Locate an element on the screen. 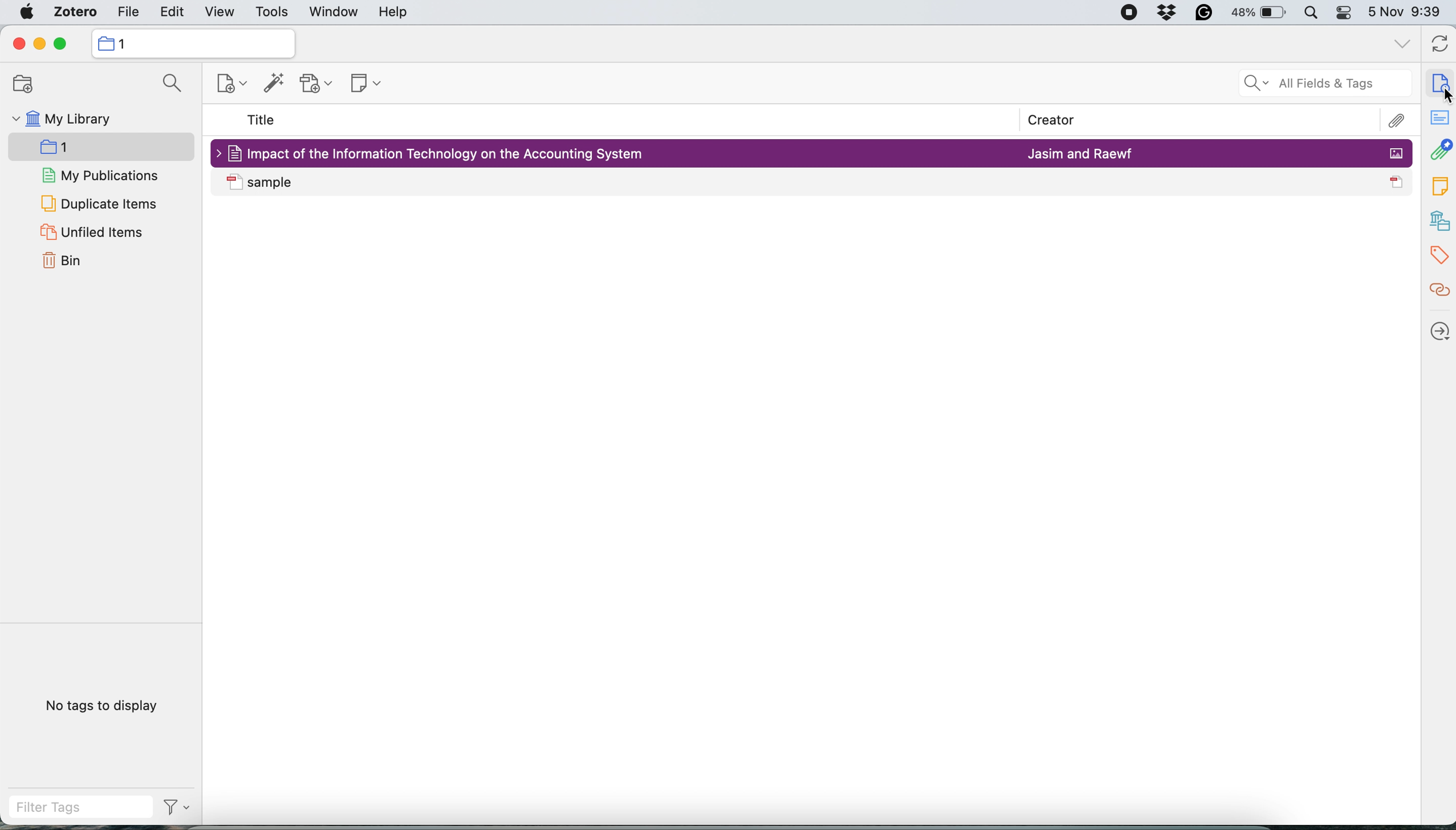 The image size is (1456, 830). 48% battery is located at coordinates (1260, 13).